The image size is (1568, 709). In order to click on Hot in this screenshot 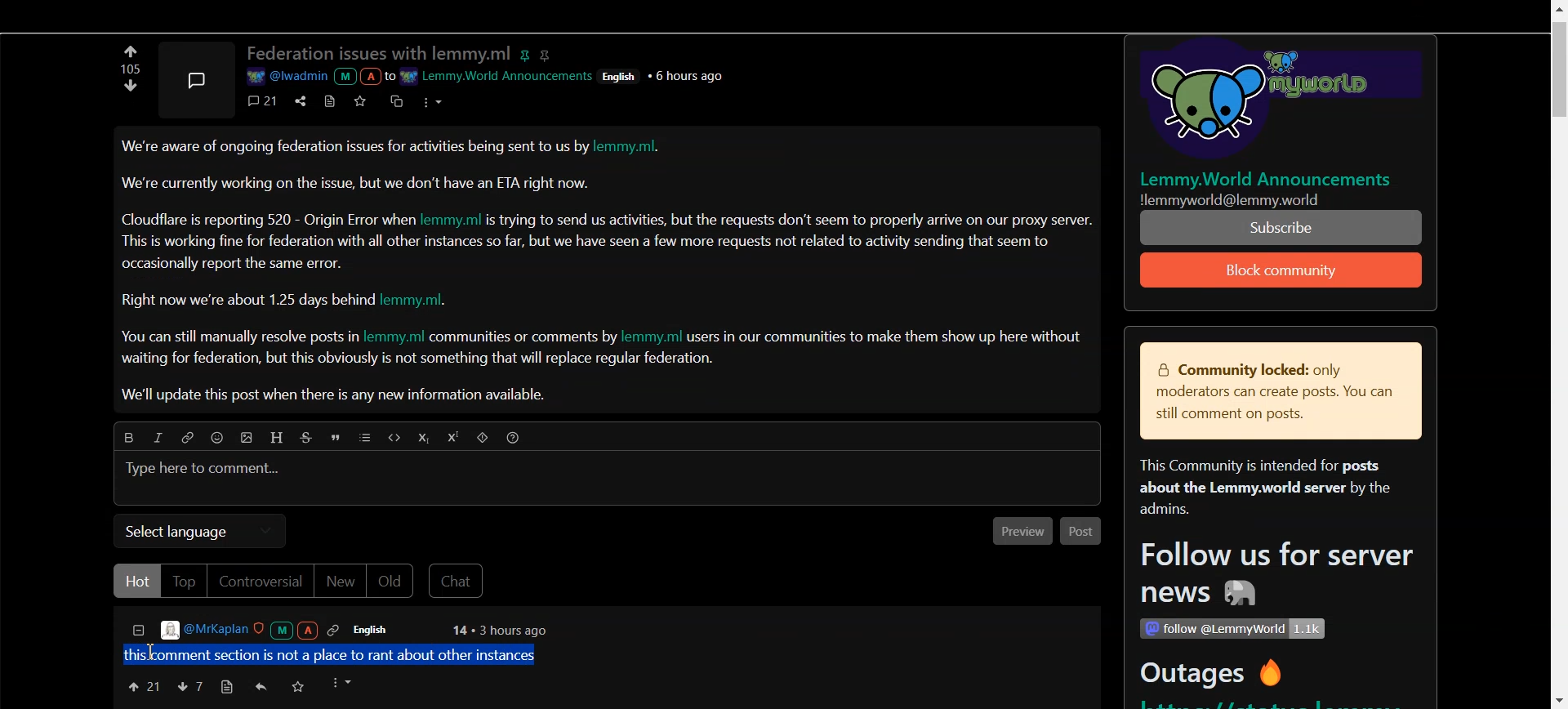, I will do `click(136, 581)`.